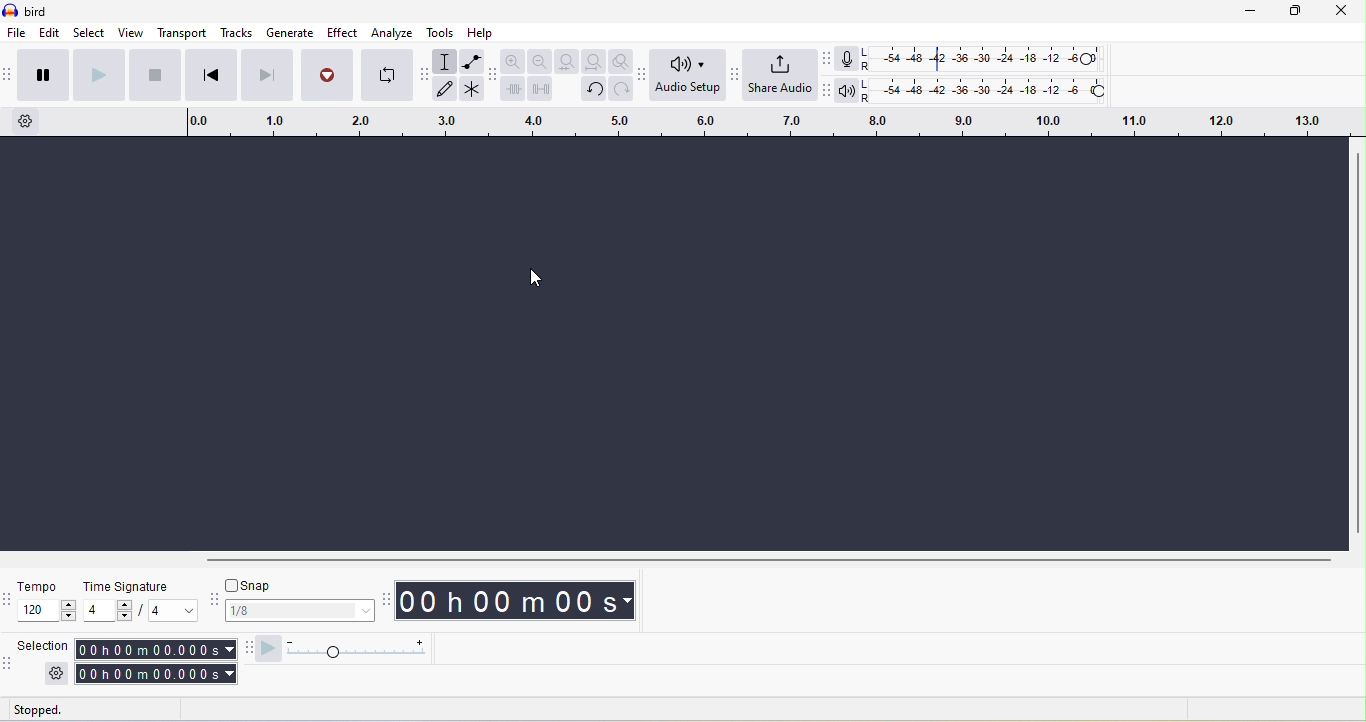  What do you see at coordinates (296, 587) in the screenshot?
I see `snap` at bounding box center [296, 587].